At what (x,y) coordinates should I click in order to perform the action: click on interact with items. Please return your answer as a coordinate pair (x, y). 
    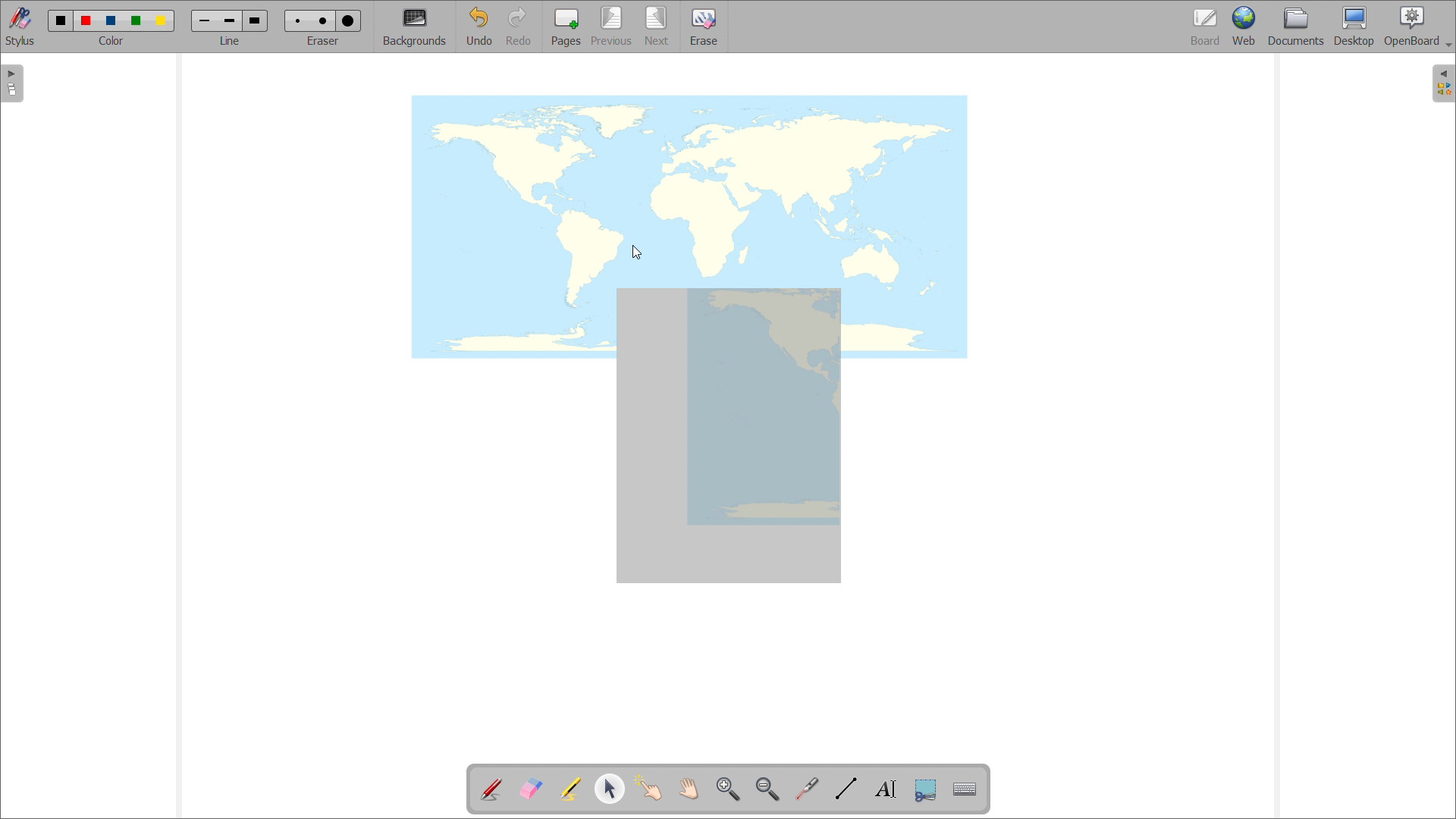
    Looking at the image, I should click on (649, 787).